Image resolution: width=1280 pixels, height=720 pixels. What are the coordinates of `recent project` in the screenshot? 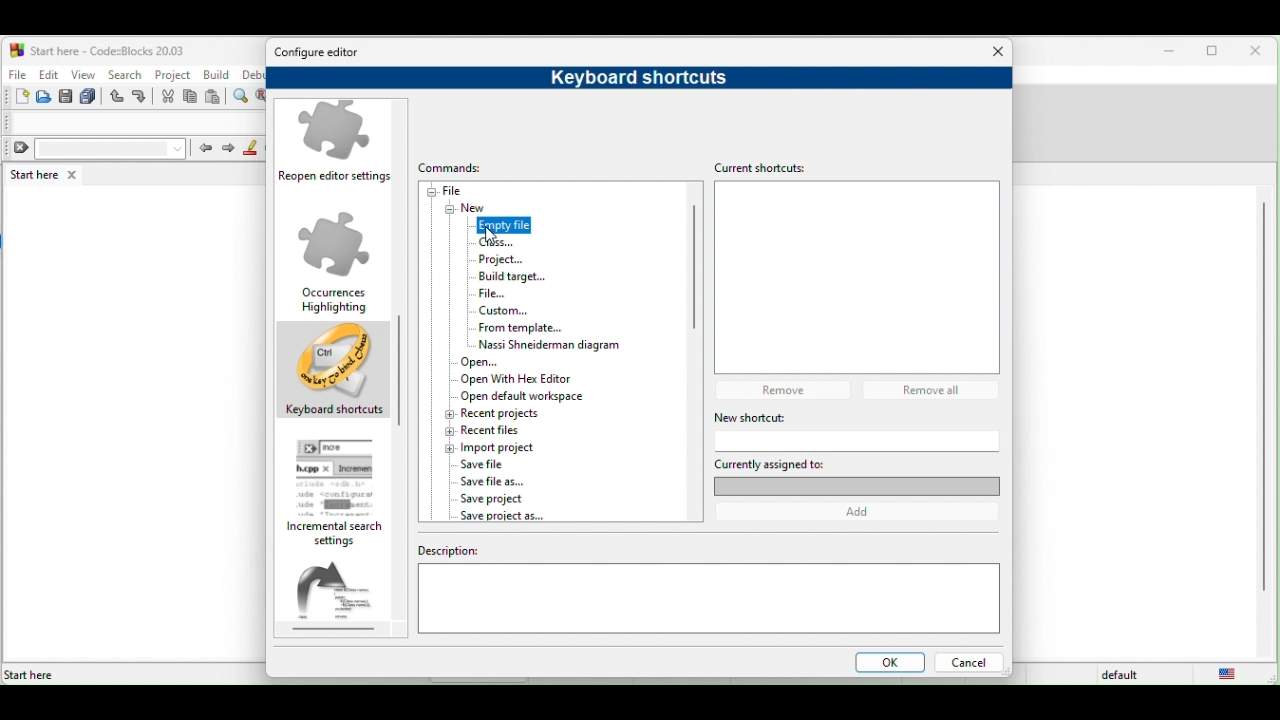 It's located at (493, 414).